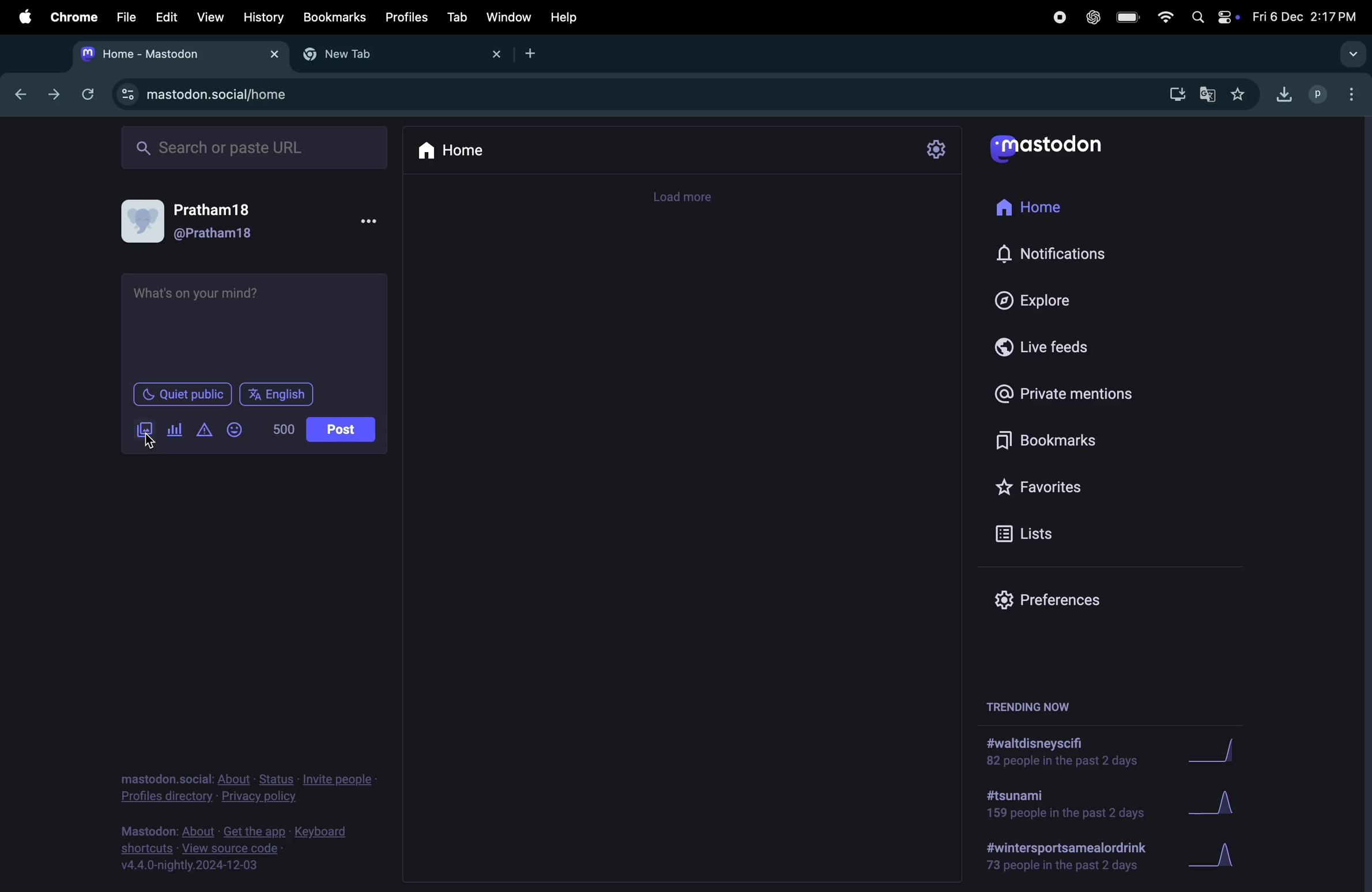 This screenshot has width=1372, height=892. What do you see at coordinates (262, 17) in the screenshot?
I see `history` at bounding box center [262, 17].